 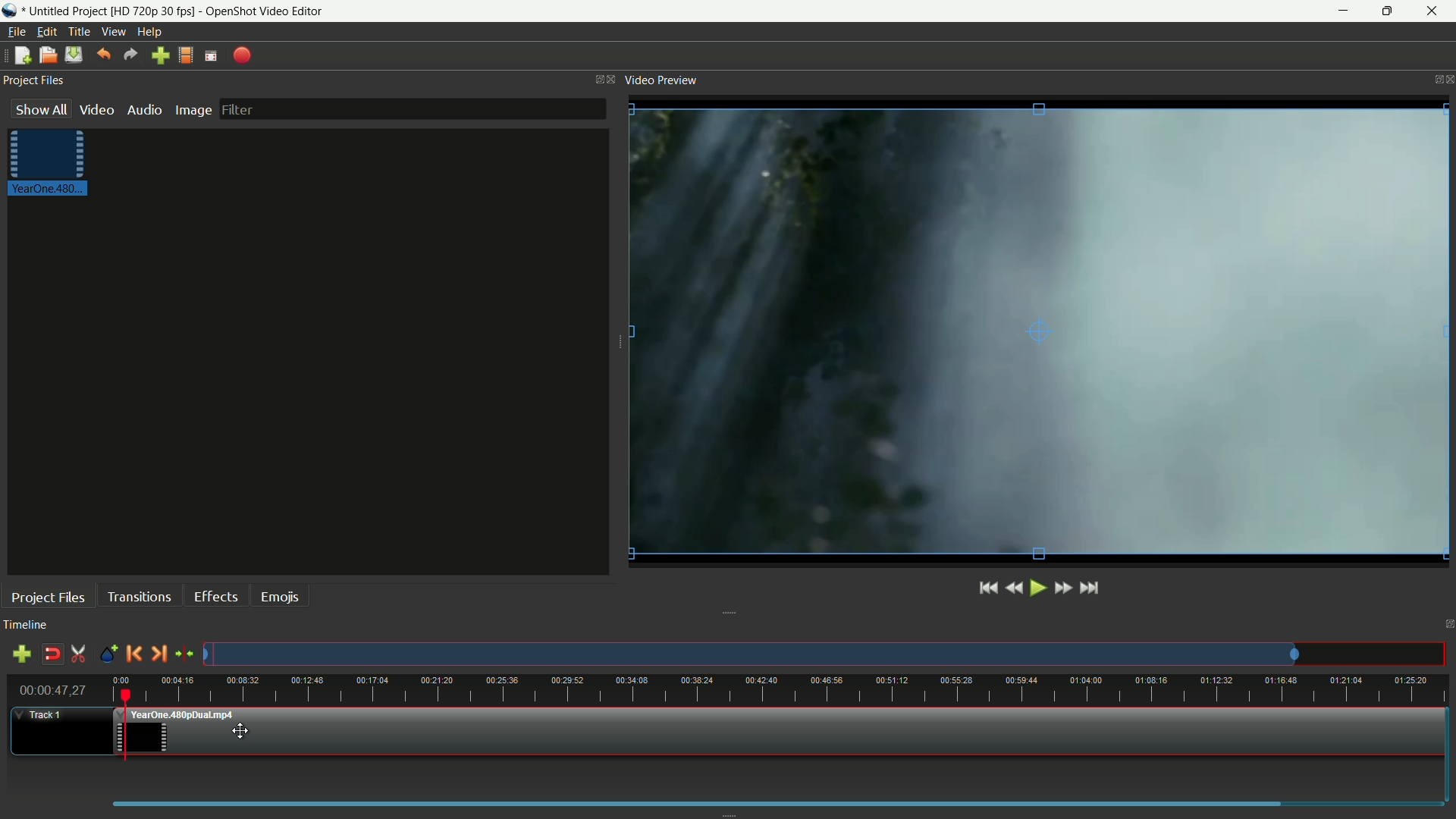 What do you see at coordinates (130, 55) in the screenshot?
I see `redo` at bounding box center [130, 55].